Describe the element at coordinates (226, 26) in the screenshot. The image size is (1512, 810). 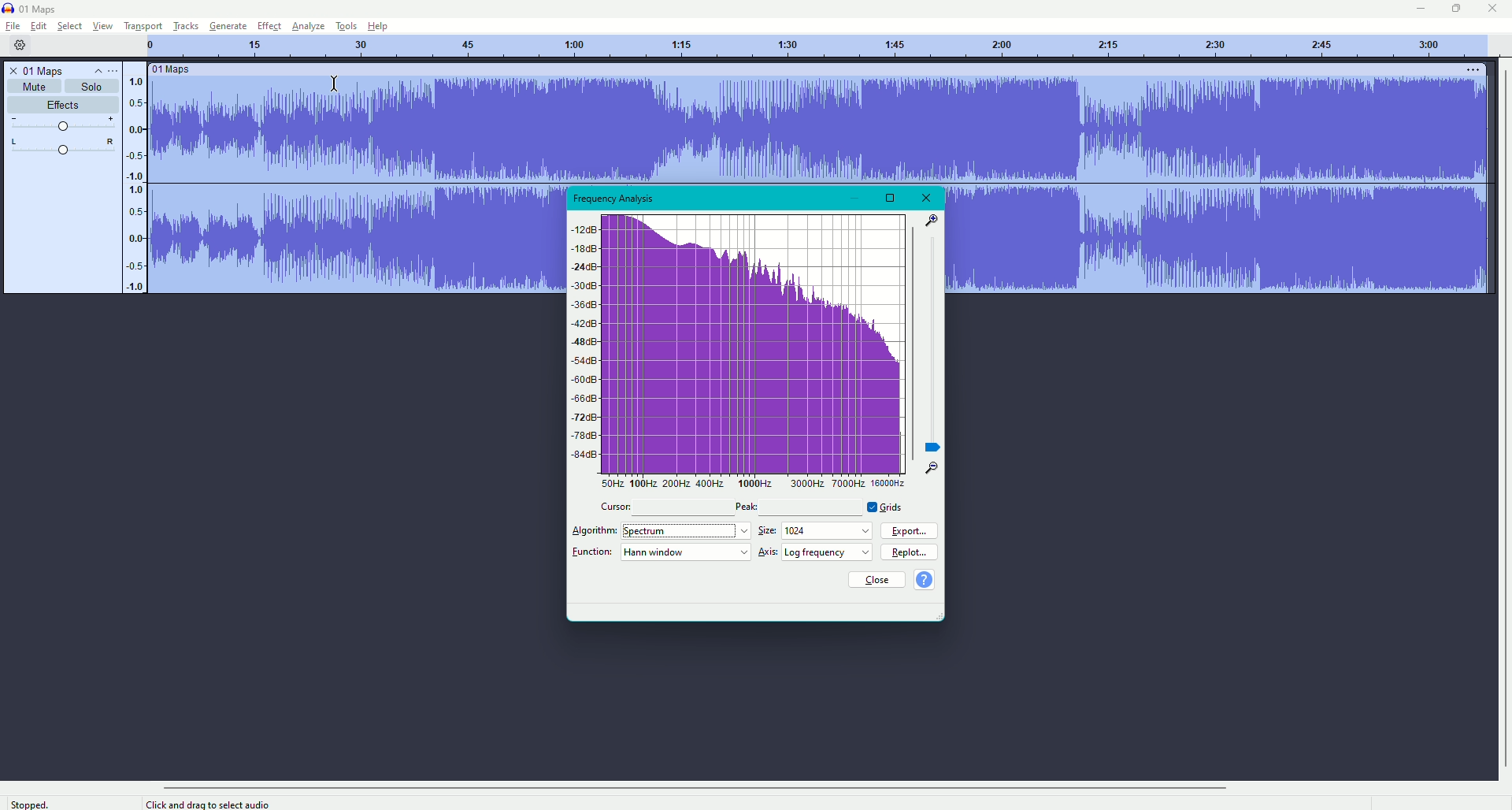
I see `Generate` at that location.